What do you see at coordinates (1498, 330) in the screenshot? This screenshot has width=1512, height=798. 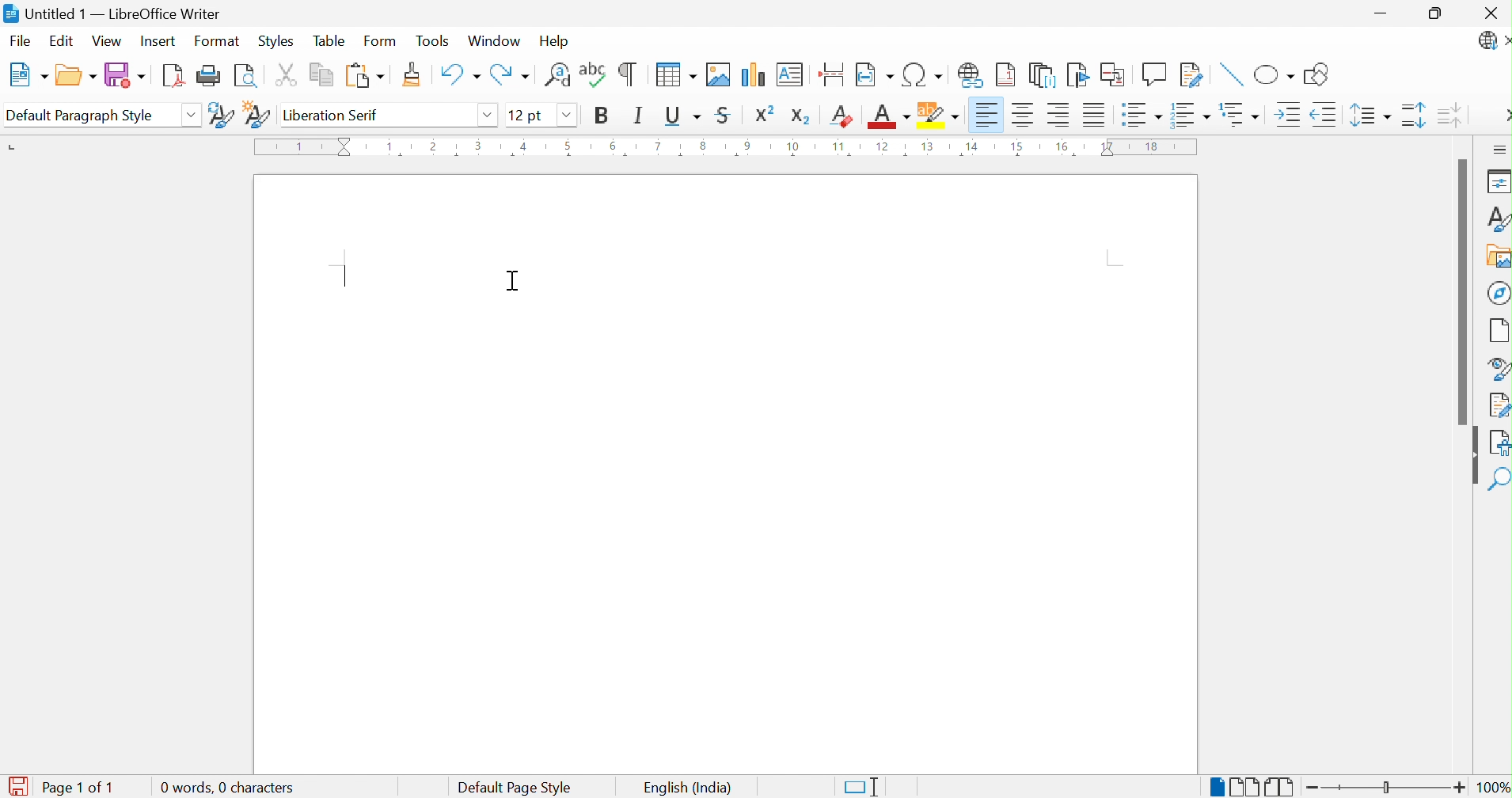 I see `Page` at bounding box center [1498, 330].